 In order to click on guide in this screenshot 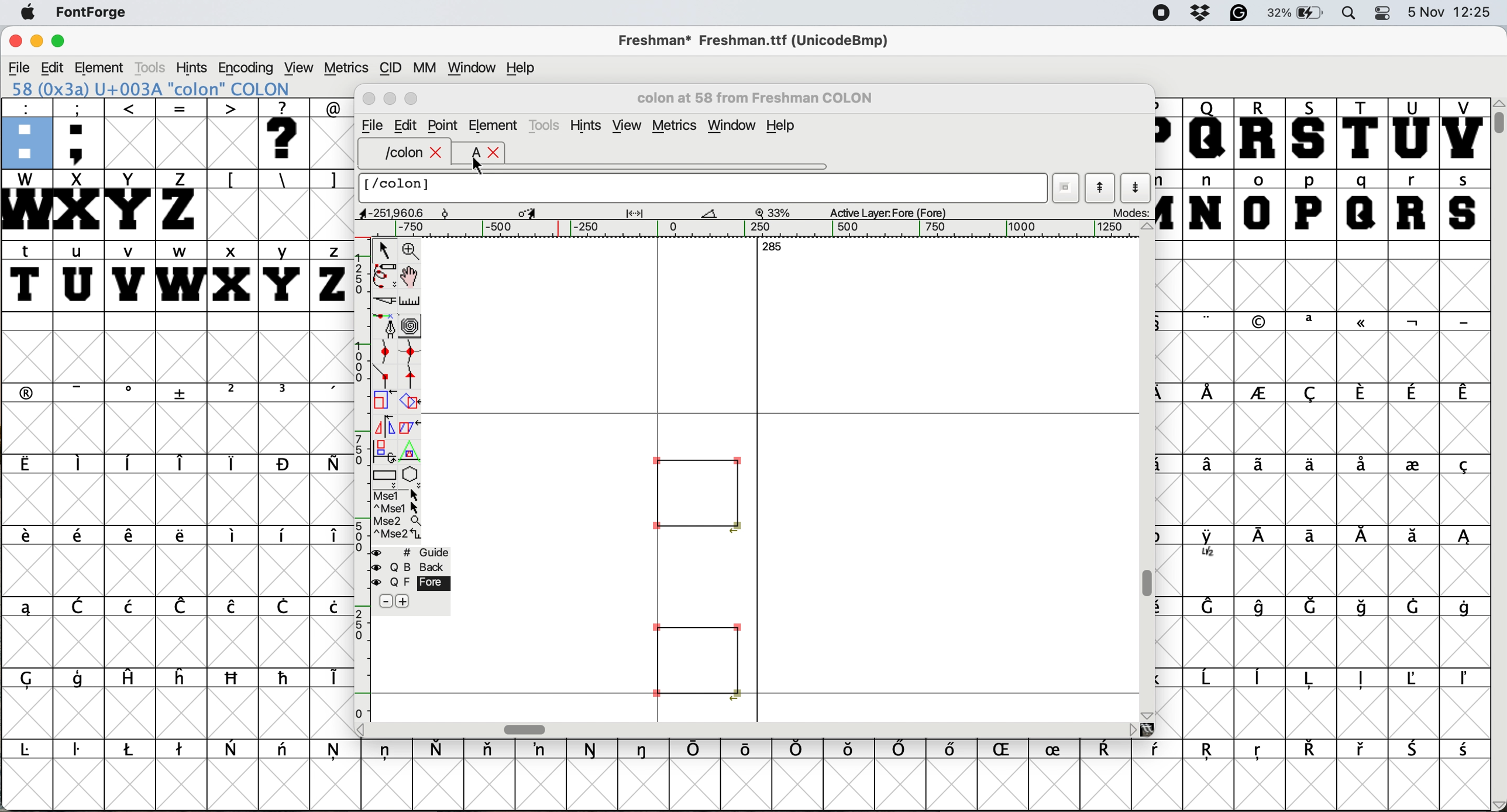, I will do `click(408, 551)`.